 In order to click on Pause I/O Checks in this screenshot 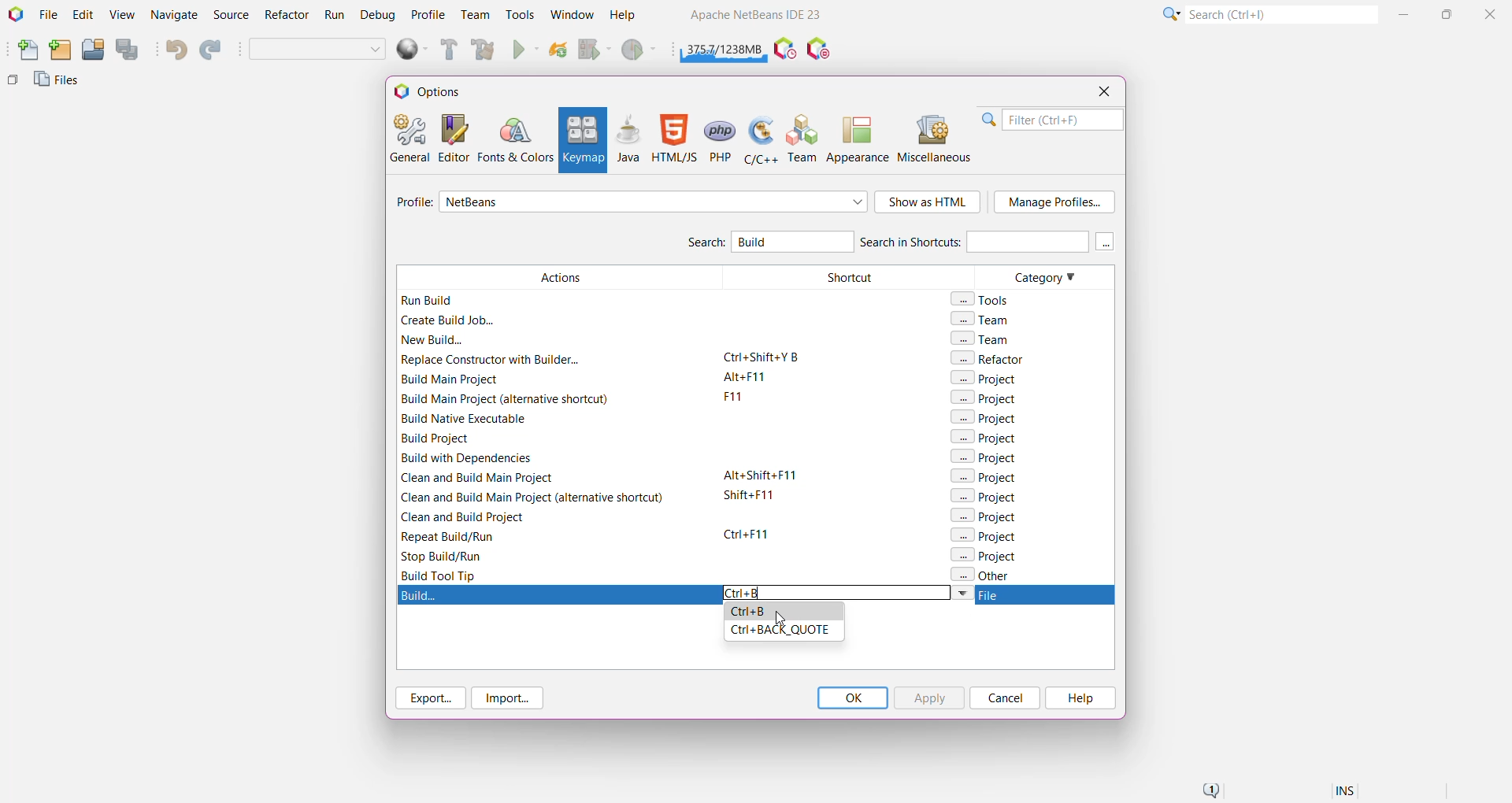, I will do `click(820, 50)`.